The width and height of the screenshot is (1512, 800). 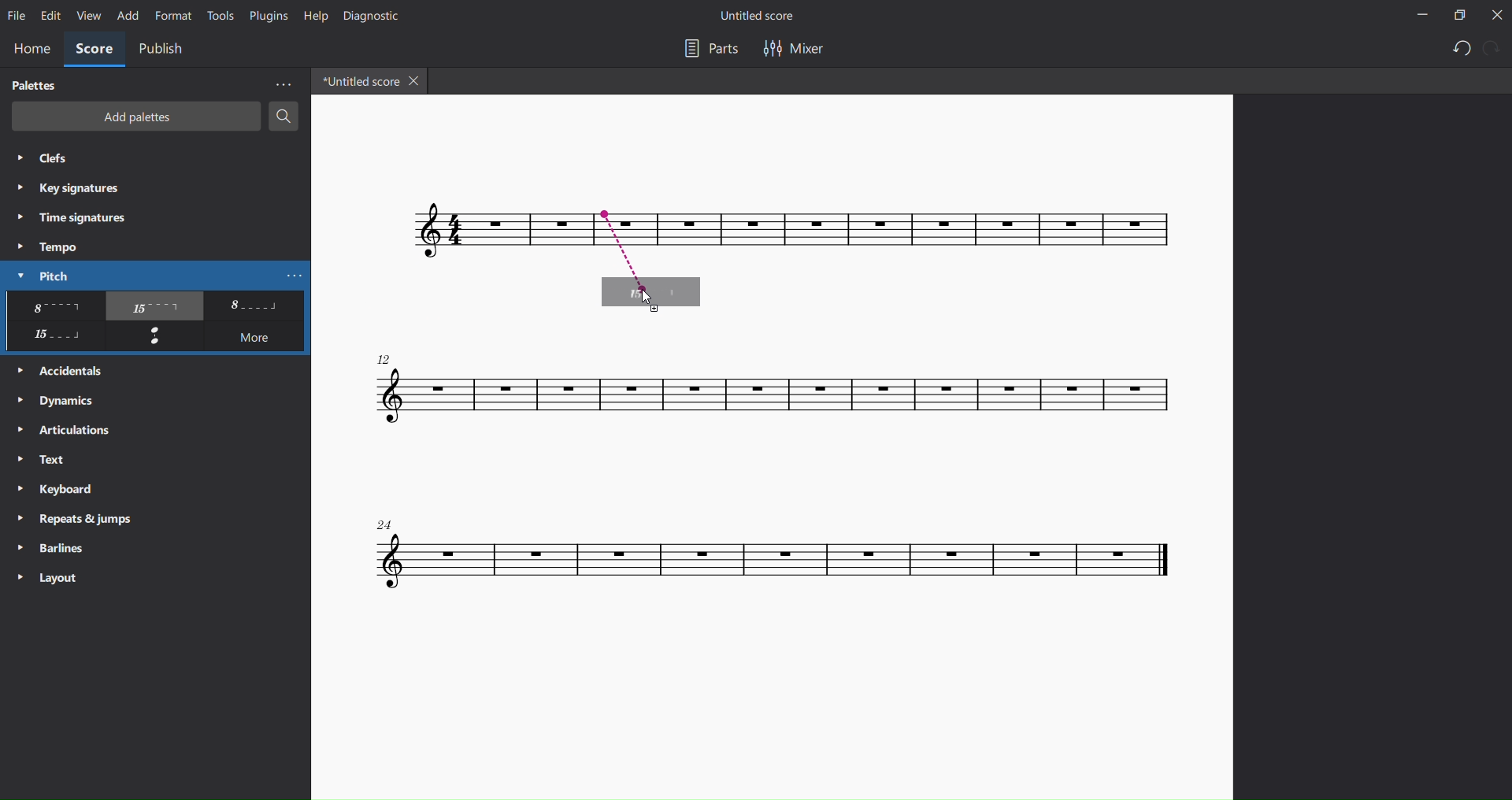 What do you see at coordinates (38, 275) in the screenshot?
I see `pitch` at bounding box center [38, 275].